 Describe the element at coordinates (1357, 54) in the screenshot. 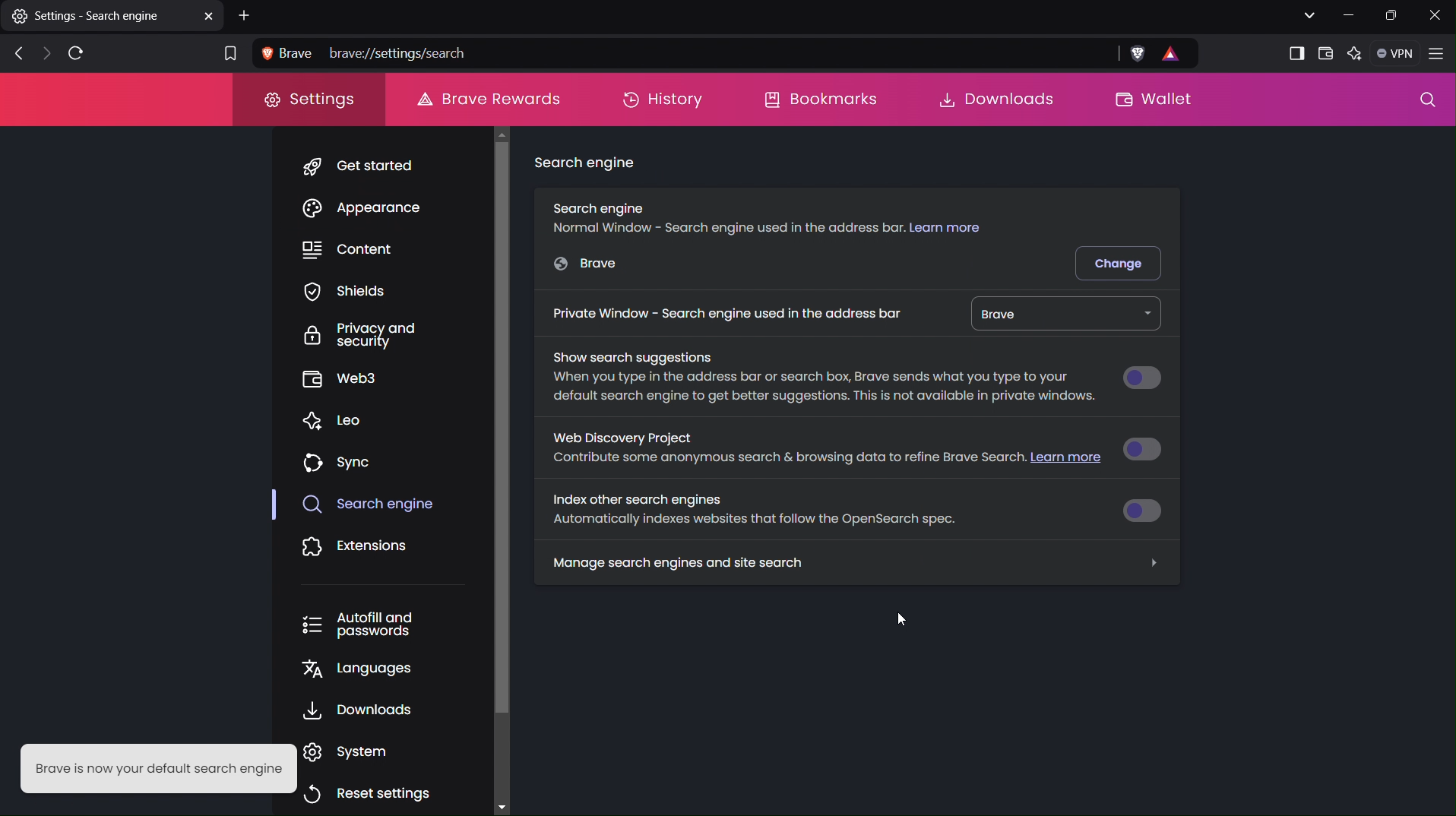

I see `Leo AI` at that location.